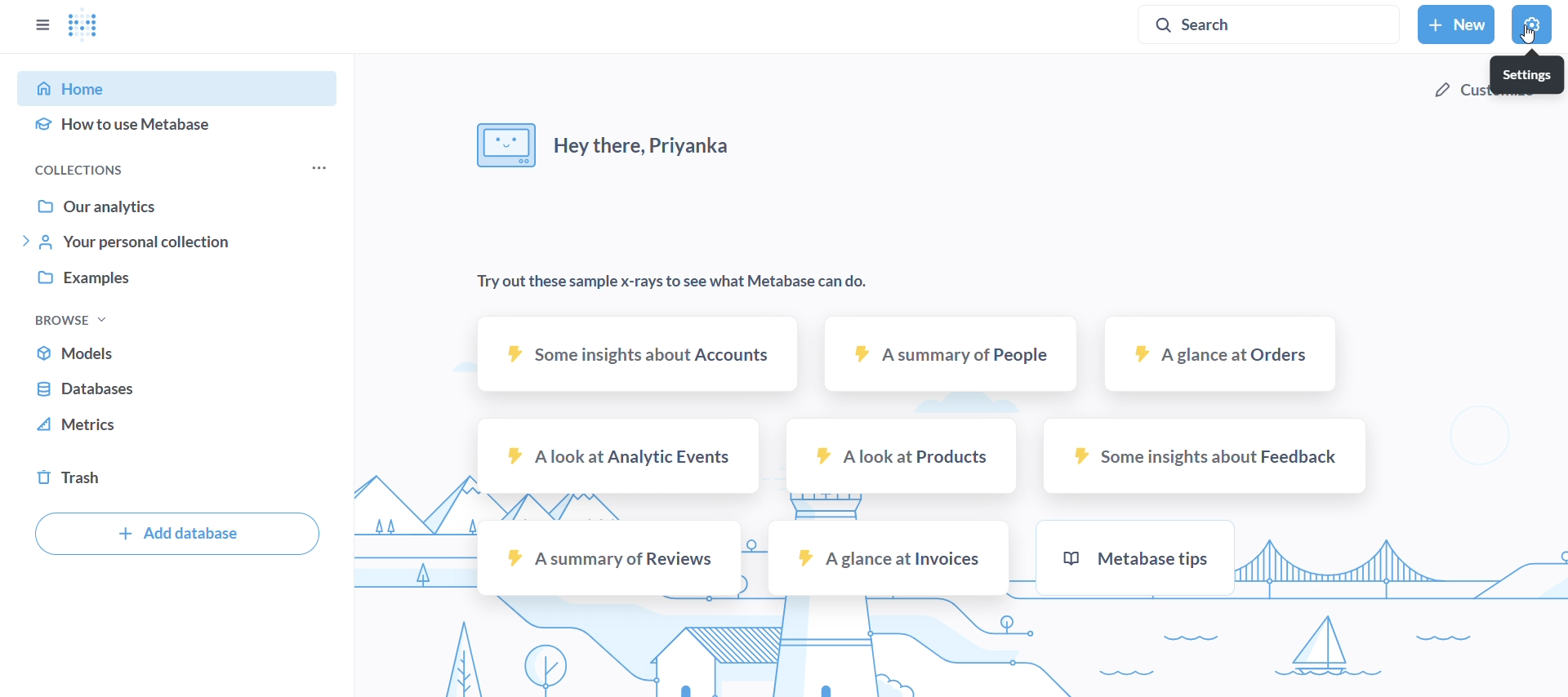 This screenshot has height=697, width=1568. Describe the element at coordinates (1460, 94) in the screenshot. I see `customize` at that location.